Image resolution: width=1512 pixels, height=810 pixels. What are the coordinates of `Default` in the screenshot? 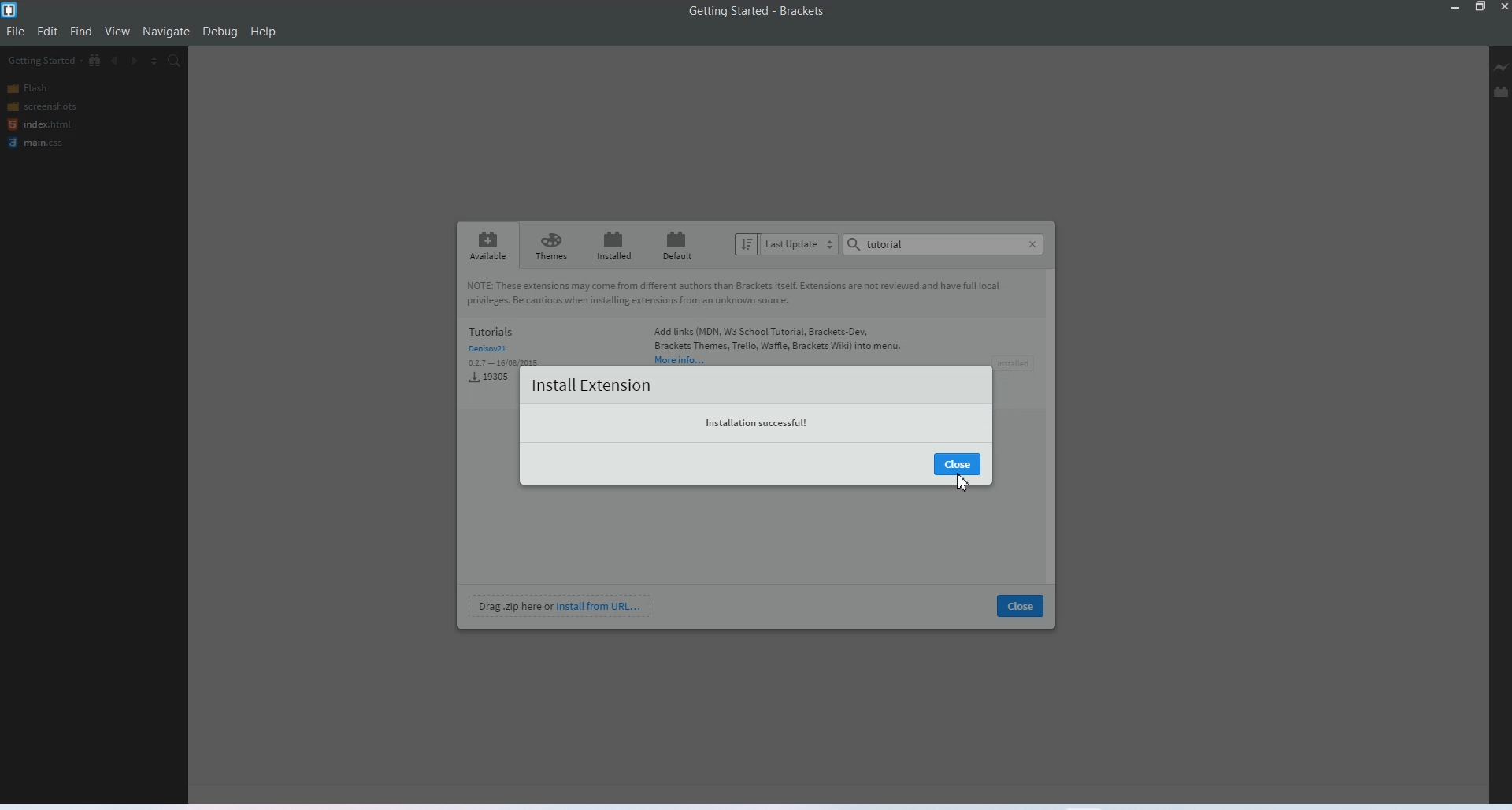 It's located at (675, 246).